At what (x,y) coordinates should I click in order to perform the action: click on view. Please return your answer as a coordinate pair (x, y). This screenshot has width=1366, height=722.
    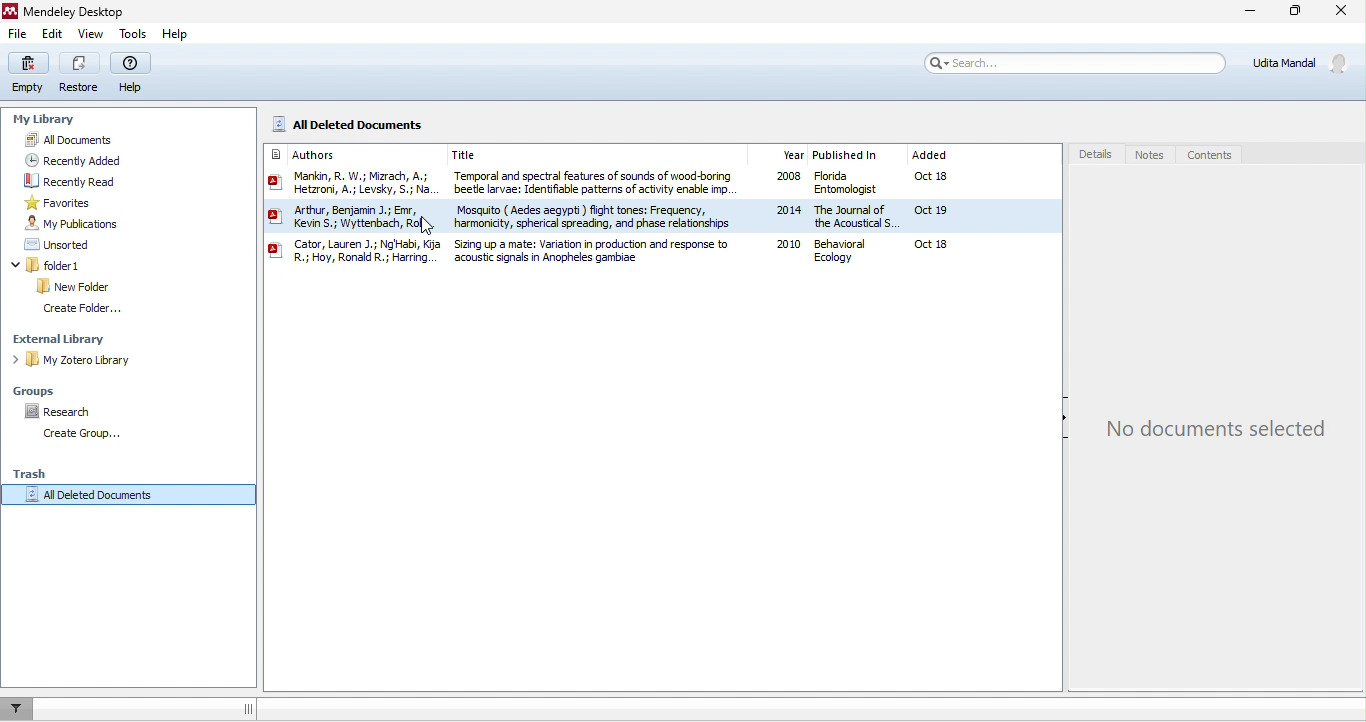
    Looking at the image, I should click on (90, 35).